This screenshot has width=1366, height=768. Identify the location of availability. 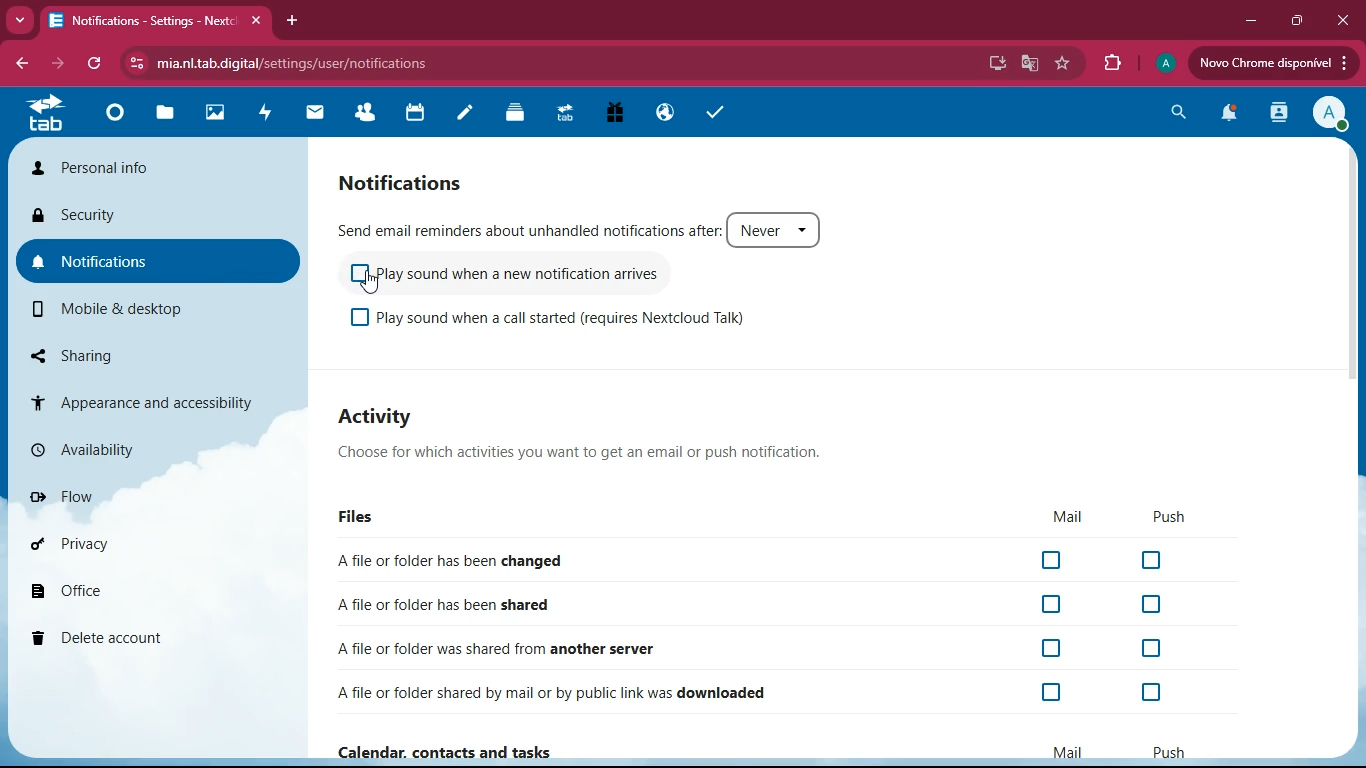
(134, 445).